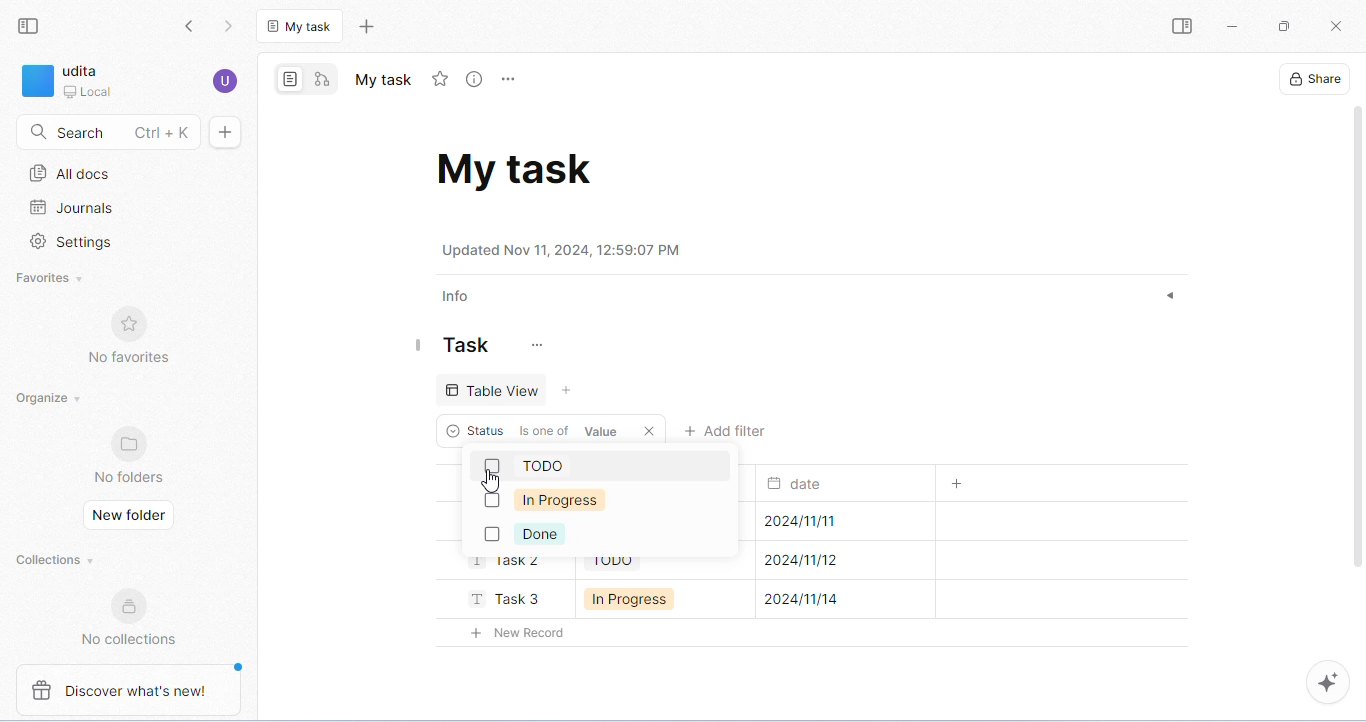 This screenshot has height=722, width=1366. What do you see at coordinates (126, 690) in the screenshot?
I see `discover what's new` at bounding box center [126, 690].